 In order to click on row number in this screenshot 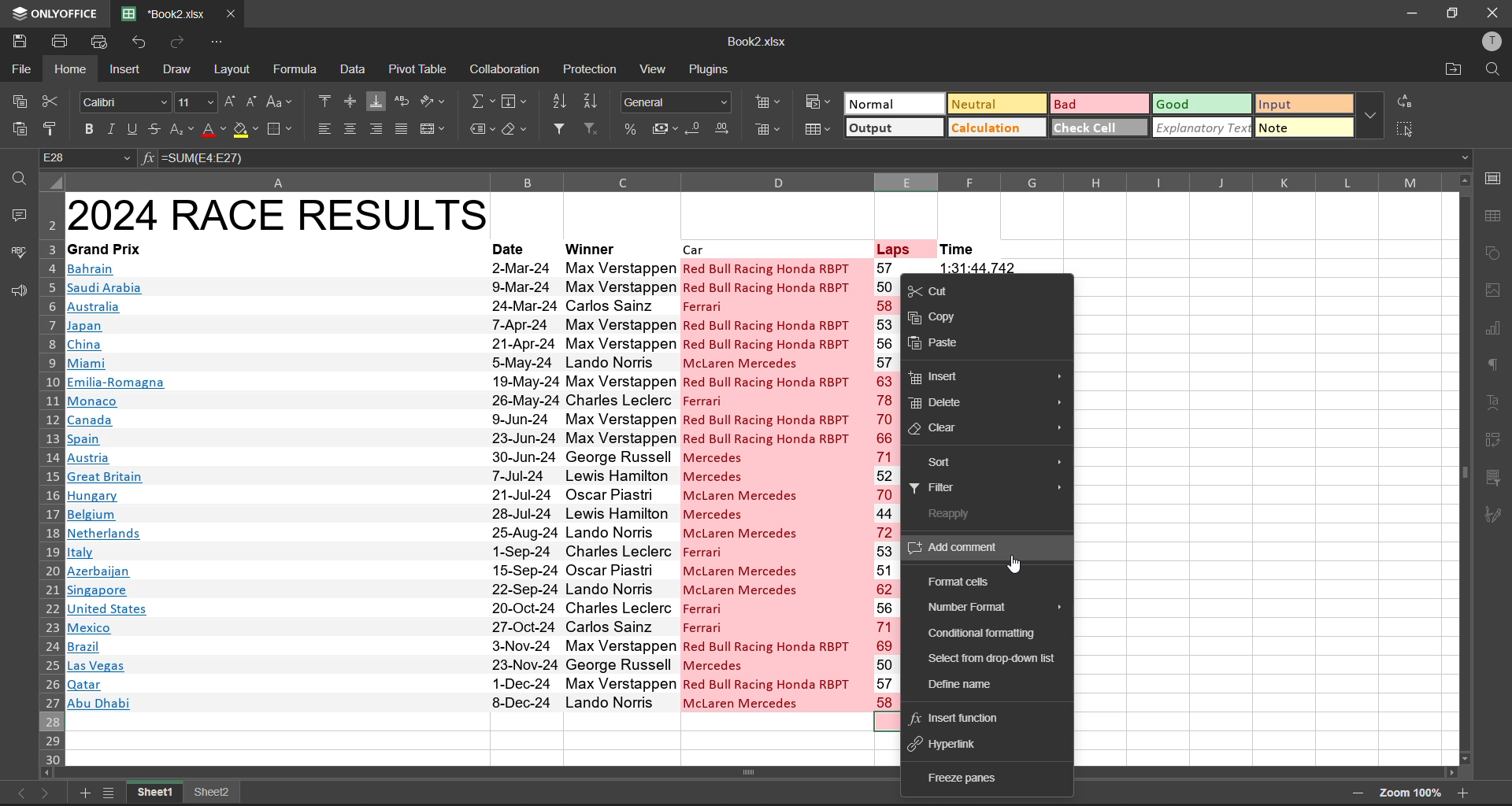, I will do `click(49, 477)`.